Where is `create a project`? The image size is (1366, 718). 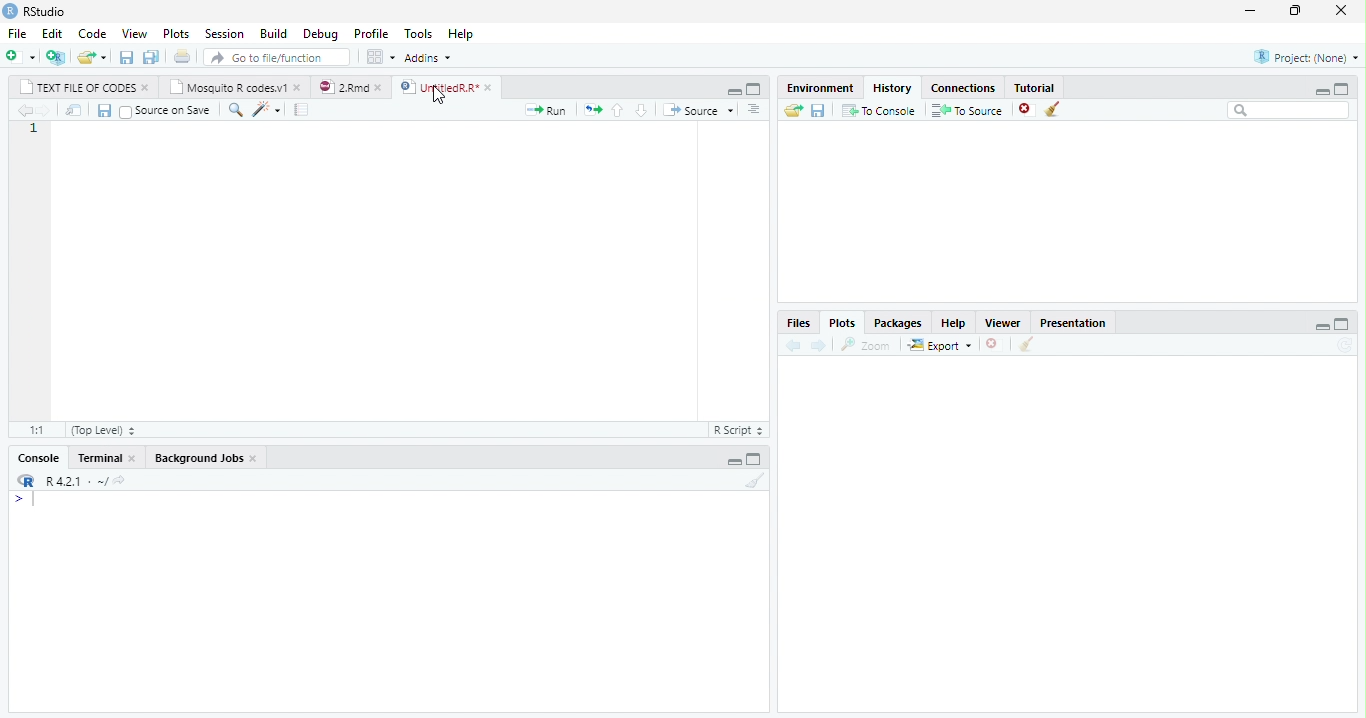
create a project is located at coordinates (54, 56).